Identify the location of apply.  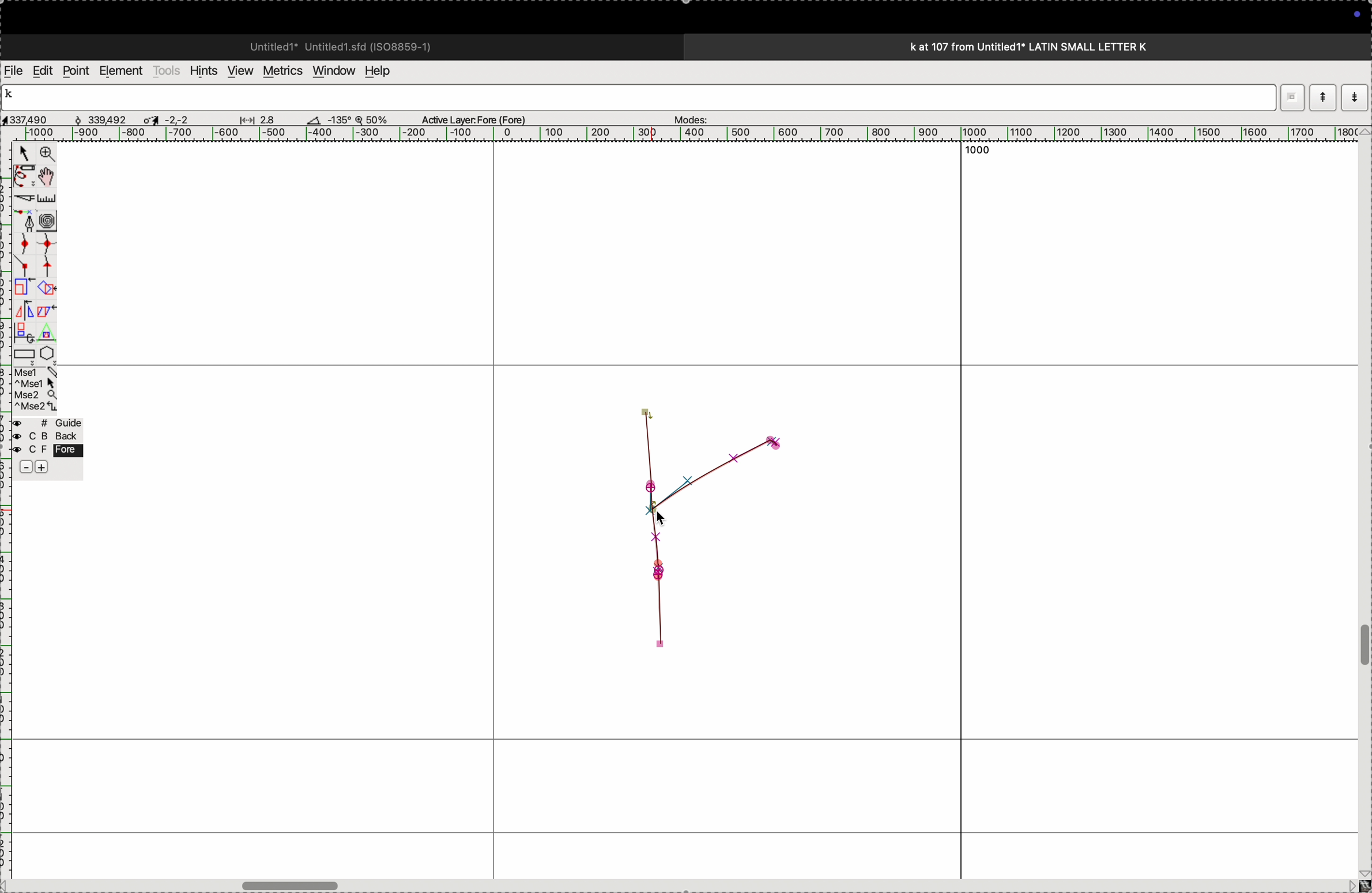
(47, 319).